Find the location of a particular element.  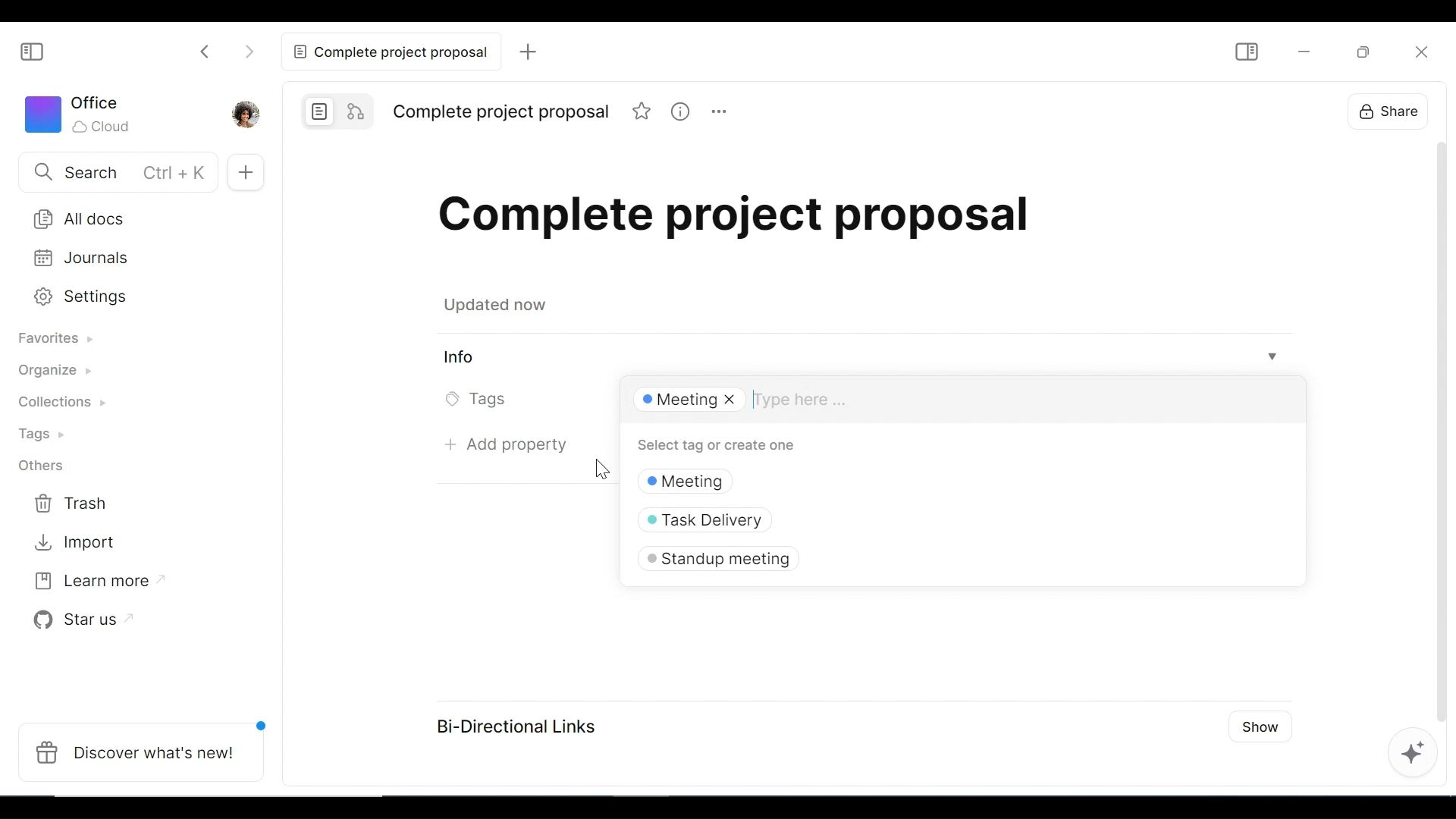

View Information is located at coordinates (863, 358).